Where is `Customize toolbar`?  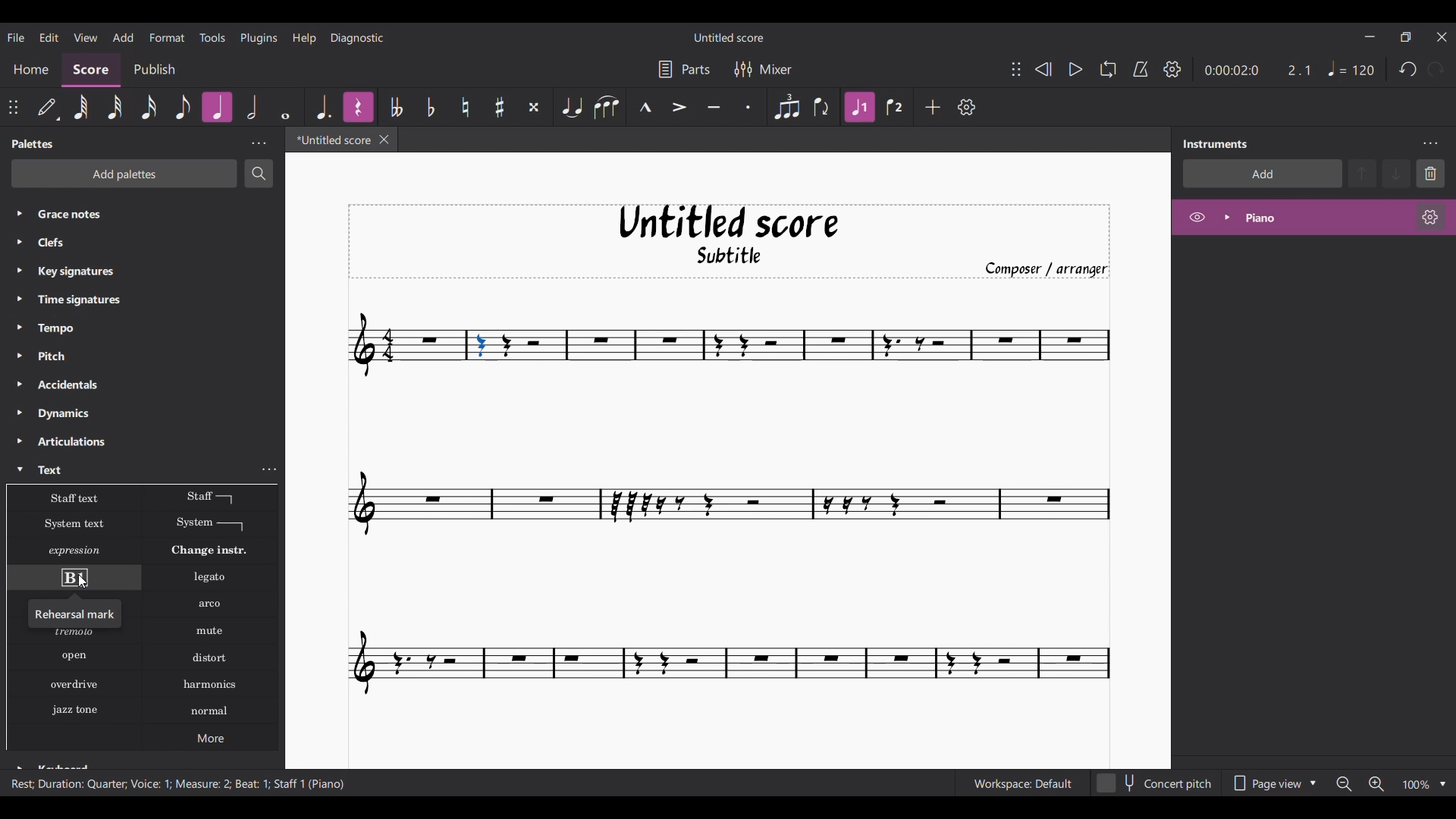 Customize toolbar is located at coordinates (966, 107).